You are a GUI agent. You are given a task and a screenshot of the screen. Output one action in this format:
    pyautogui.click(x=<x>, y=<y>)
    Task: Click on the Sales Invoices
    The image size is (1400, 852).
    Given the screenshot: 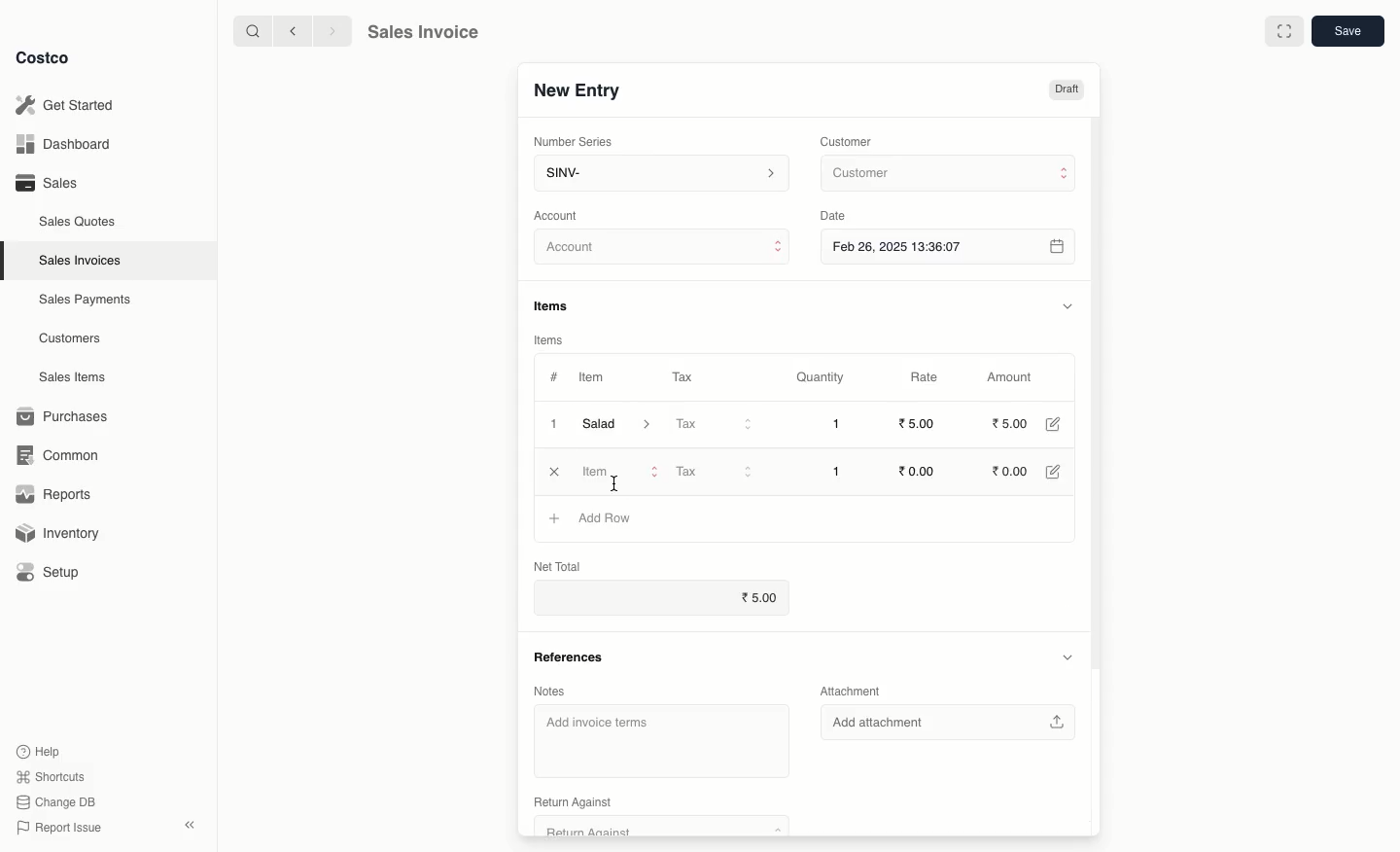 What is the action you would take?
    pyautogui.click(x=81, y=261)
    